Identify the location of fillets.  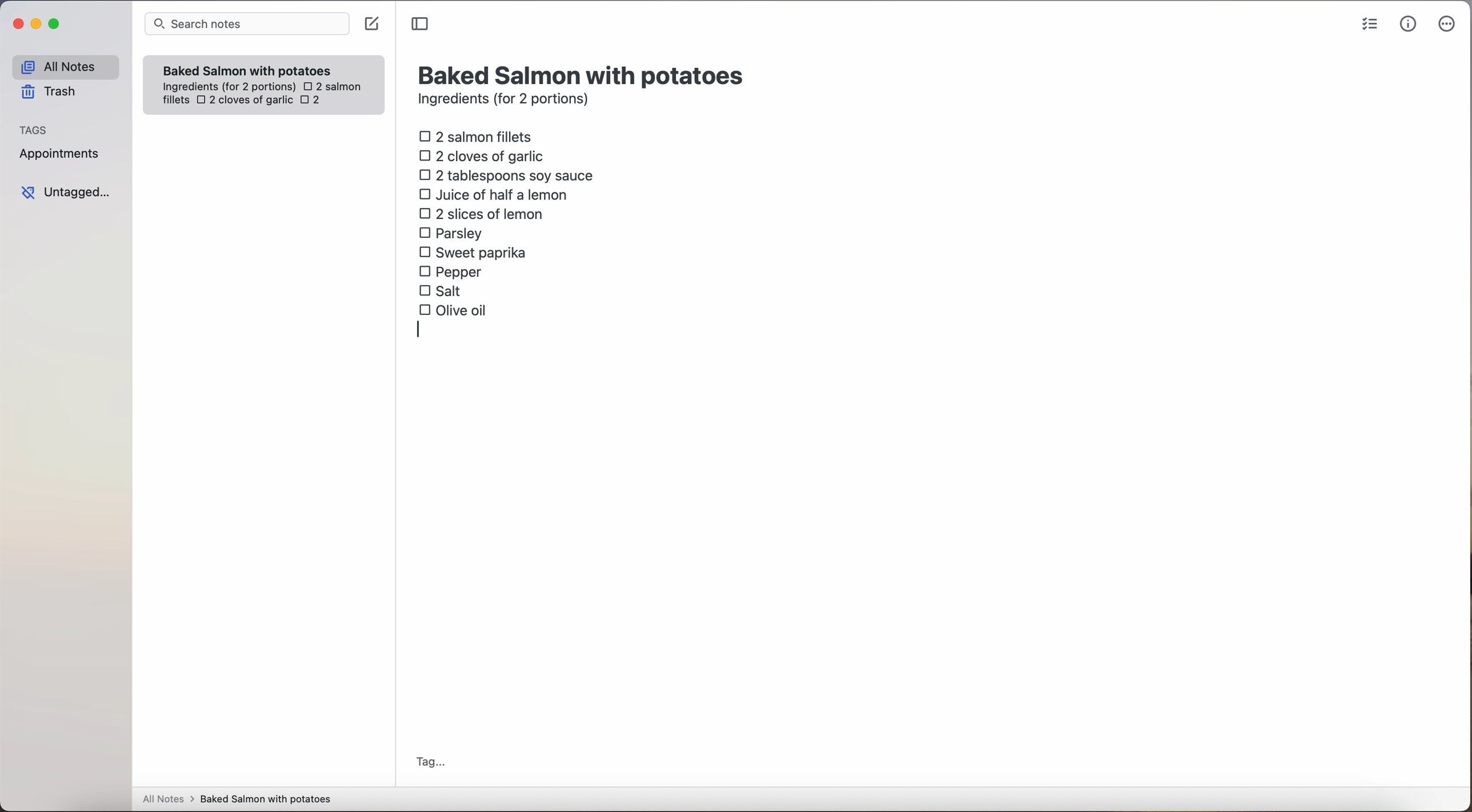
(177, 101).